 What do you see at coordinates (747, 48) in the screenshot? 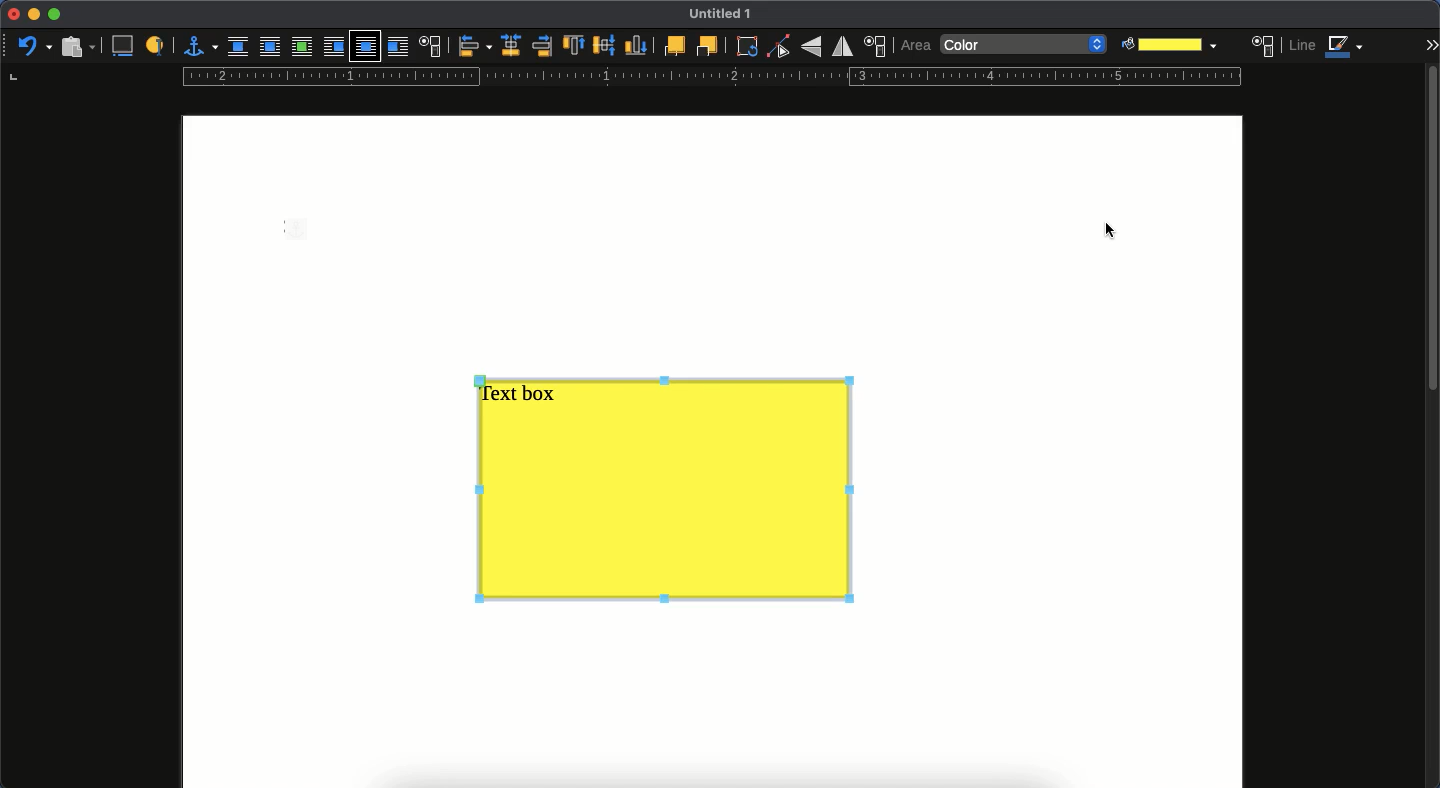
I see `rotate` at bounding box center [747, 48].